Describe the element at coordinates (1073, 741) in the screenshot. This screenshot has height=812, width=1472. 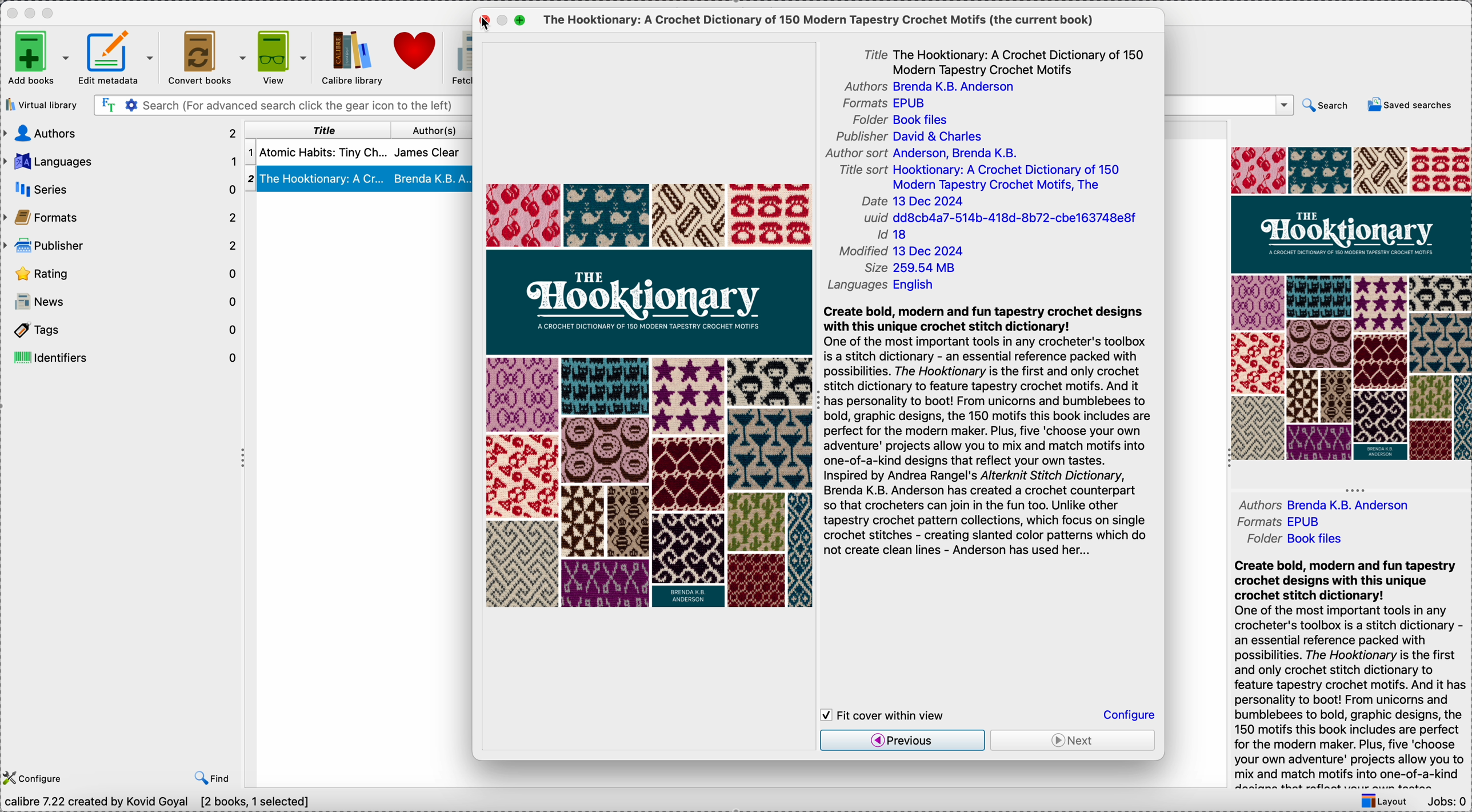
I see `Next` at that location.